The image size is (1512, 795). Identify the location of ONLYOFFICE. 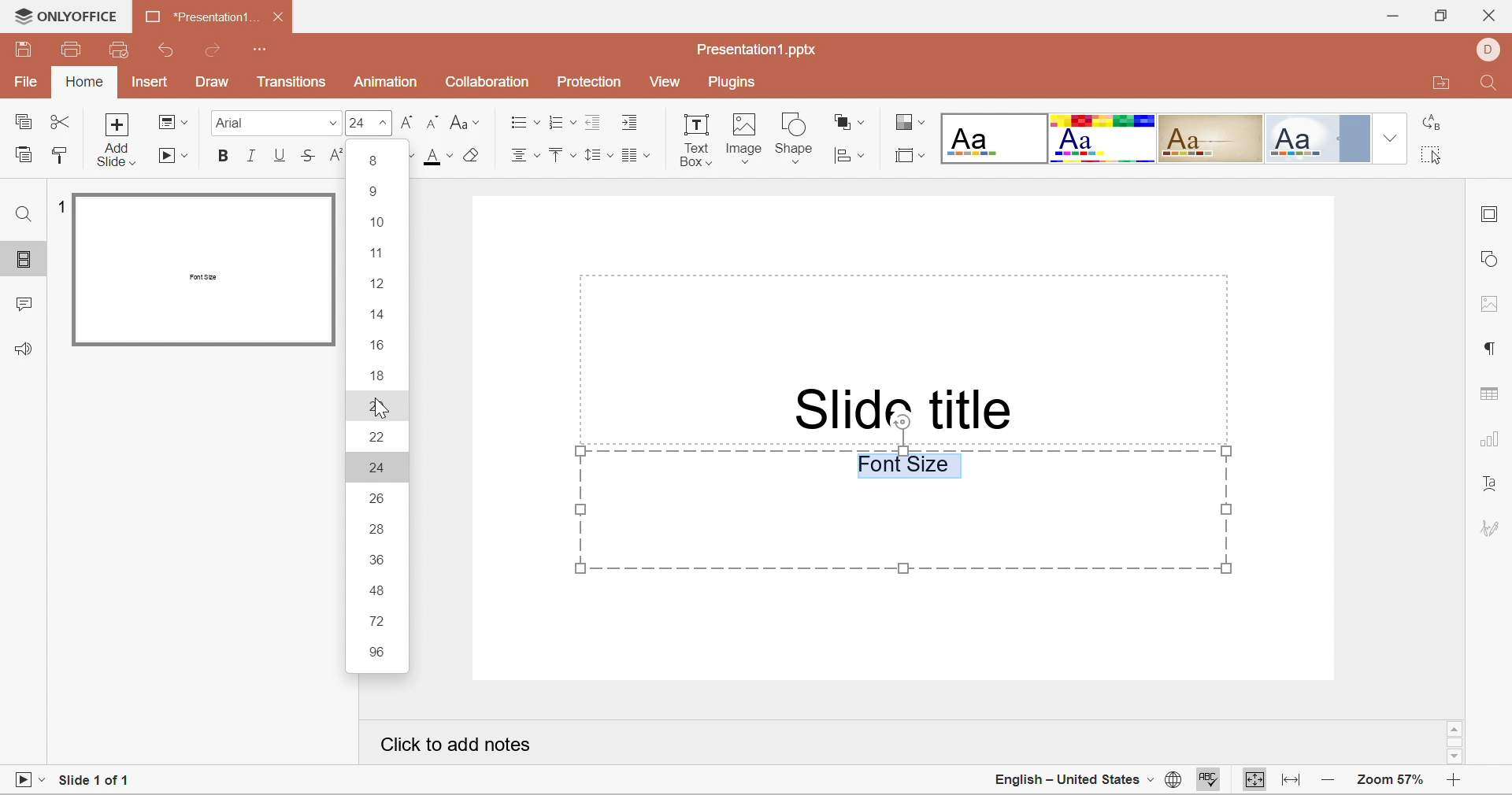
(80, 16).